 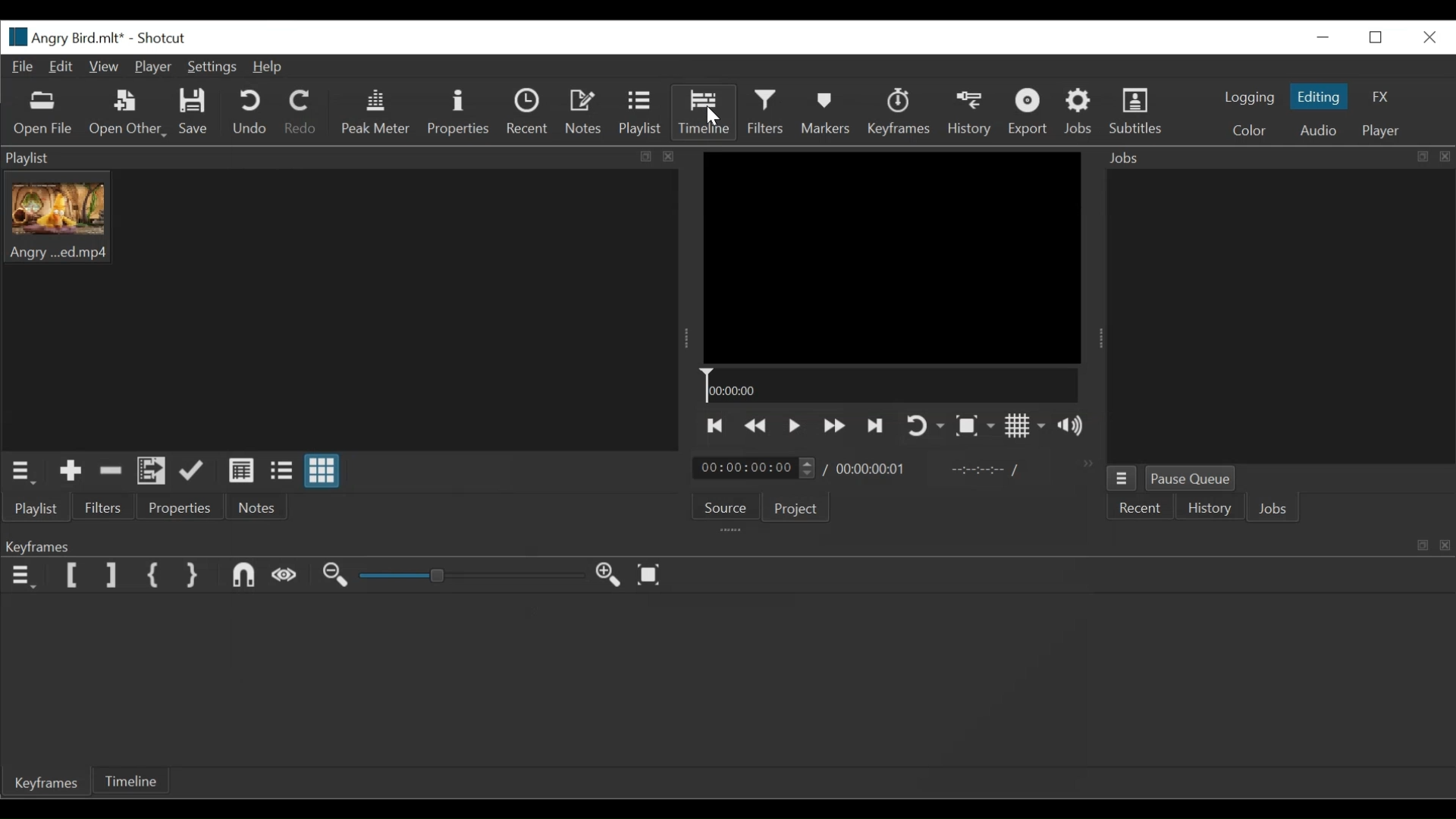 I want to click on Pause Queue, so click(x=1189, y=478).